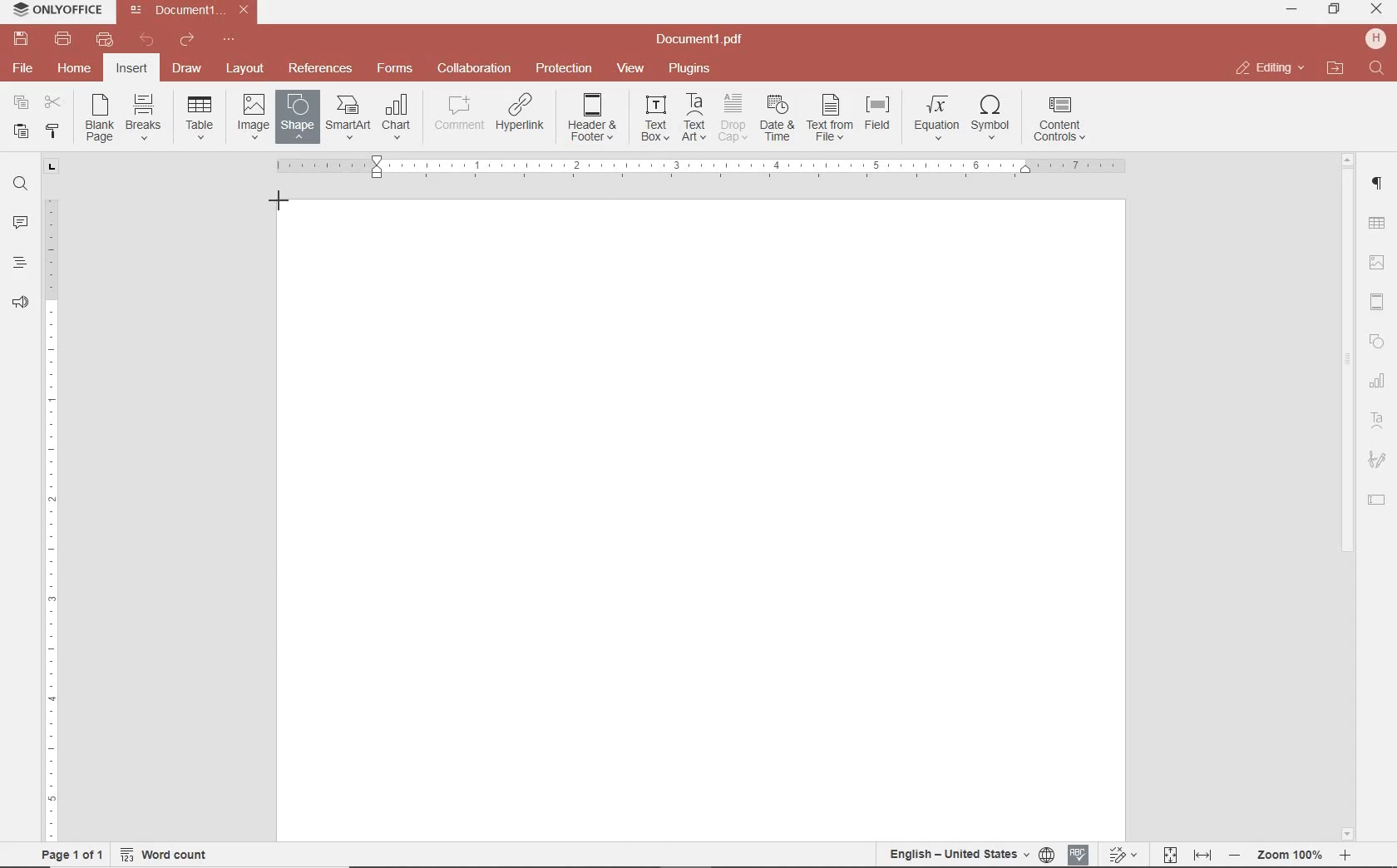 This screenshot has height=868, width=1397. I want to click on plugins, so click(693, 69).